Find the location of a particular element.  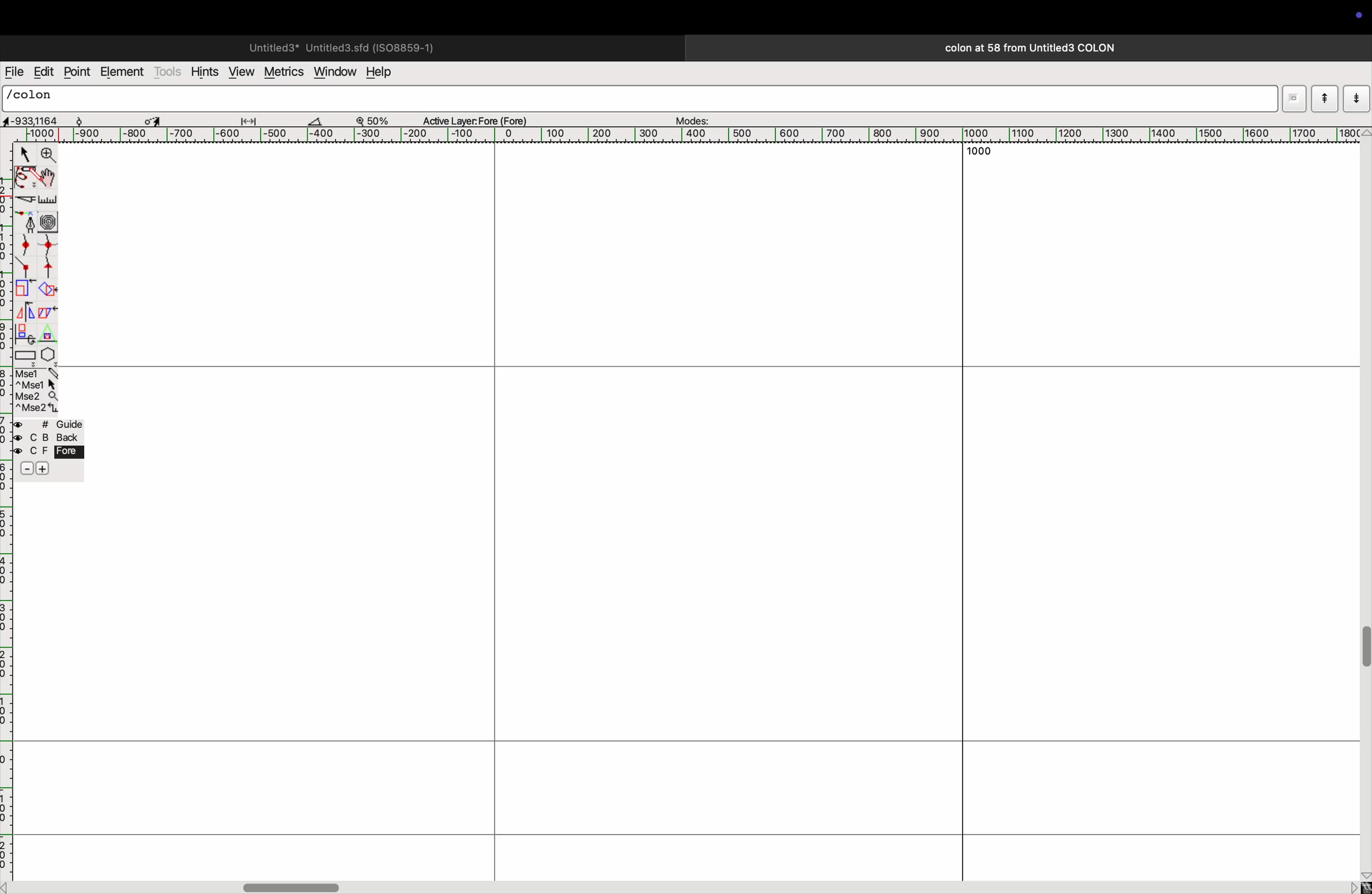

colon title is located at coordinates (1025, 48).